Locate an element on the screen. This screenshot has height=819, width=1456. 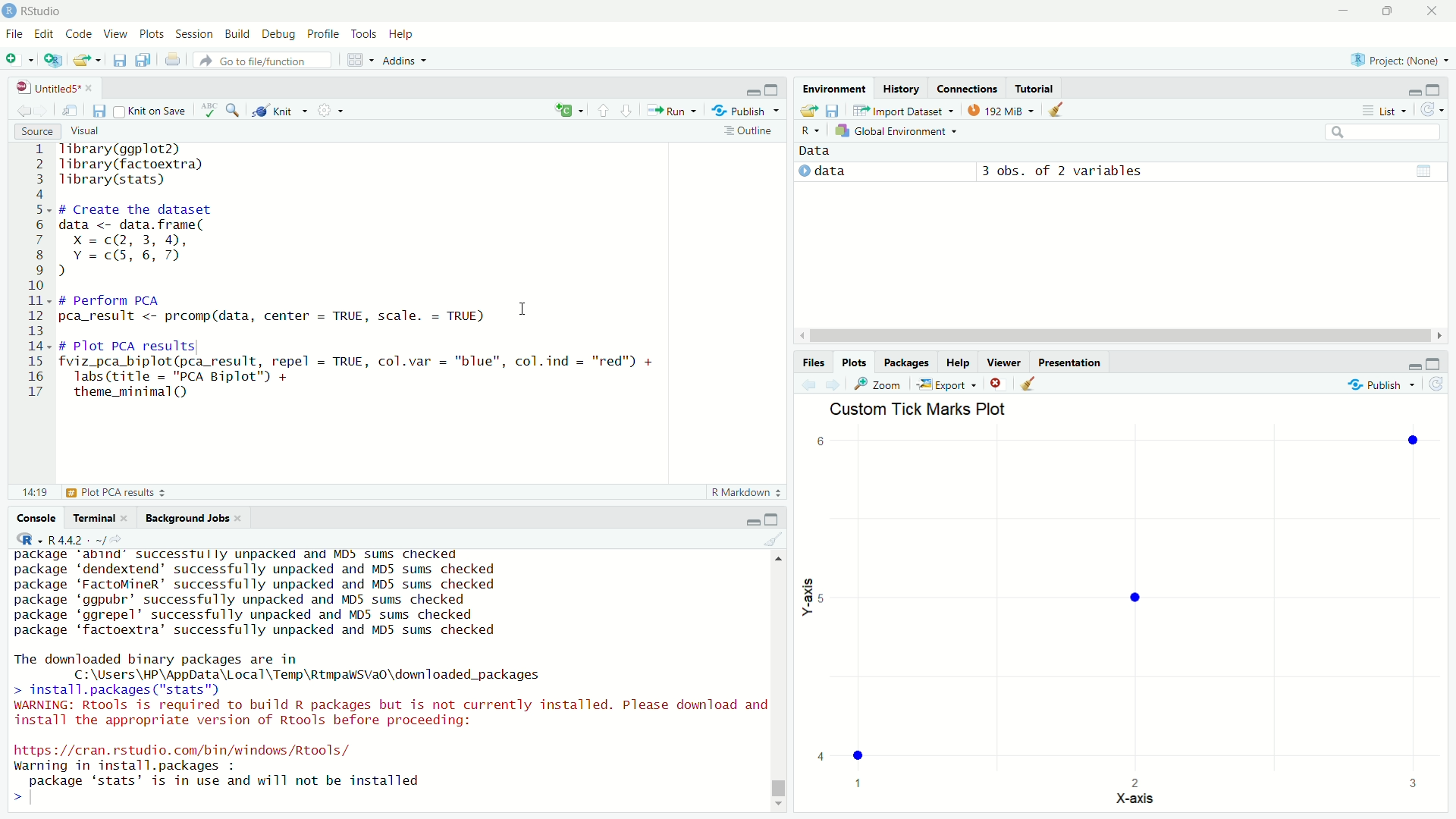
package abind  successtully unpacked and MD> sums checked
package ‘dendextend’ successfully unpacked and MD5 sums checked
package ‘FactoMineR’ successfully unpacked and MD5 sums checked
package ‘ggpubr’ successfully unpacked and MD5 sums checked
package ‘ggrepel’ successfully unpacked and MD5 sums checked
package ‘factoextra’ successfully unpacked and MD5 sums checked
The downloaded binary packages are in
C:\Users\HP\AppData\Local\Temp\RtmpawSva0o\downloaded_packages

> install.packages ("stats")
WARNING: Rtools is required to build R packages but is not currently installed. Please download and
install the appropriate version of Rtools before proceeding:
https://cran.rstudio.com/bin/windows /Rtools/
warning in install.packages :

package ‘stats’ is in use and will not be installed
> is located at coordinates (389, 677).